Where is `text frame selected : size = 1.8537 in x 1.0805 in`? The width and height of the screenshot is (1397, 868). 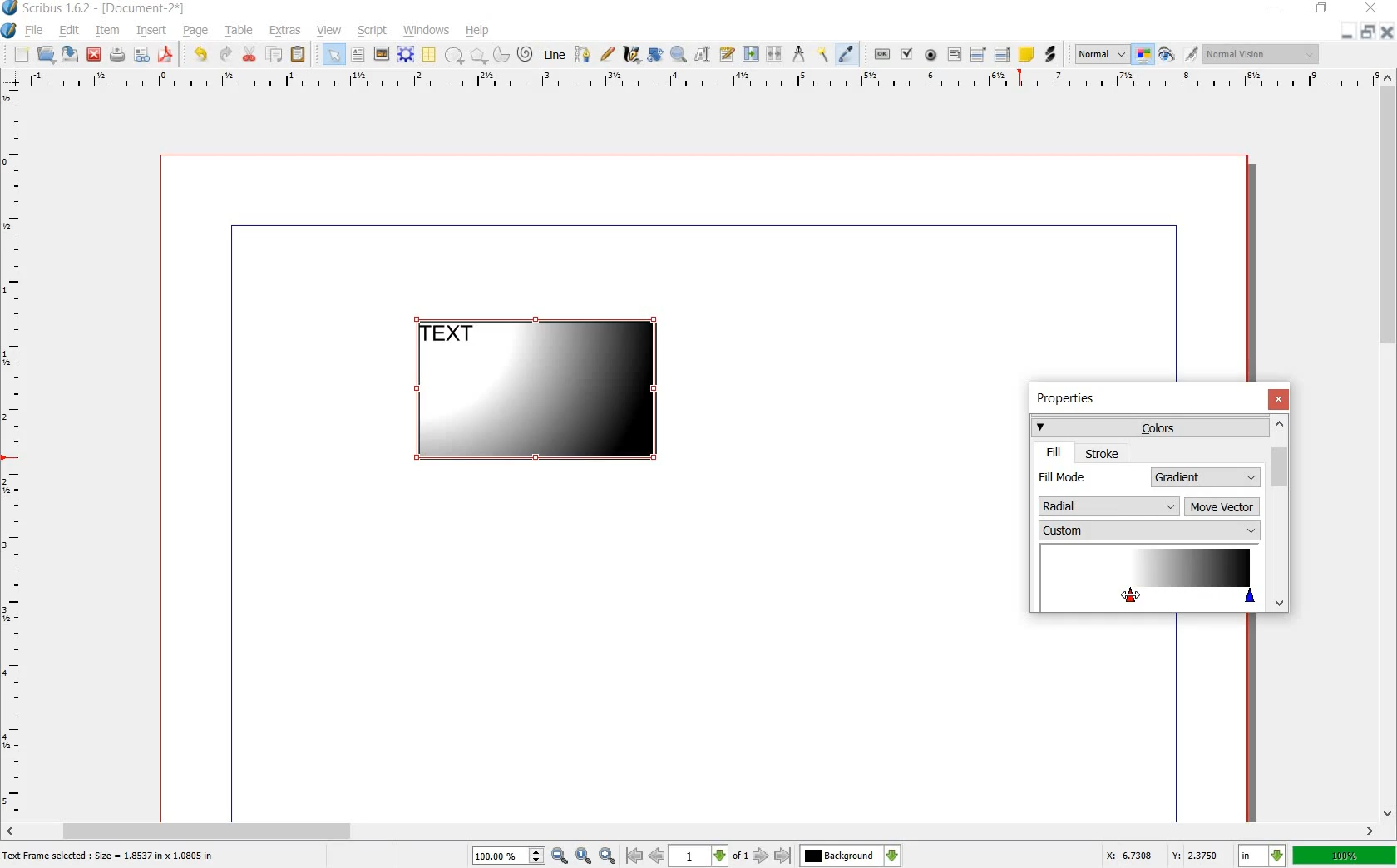 text frame selected : size = 1.8537 in x 1.0805 in is located at coordinates (111, 857).